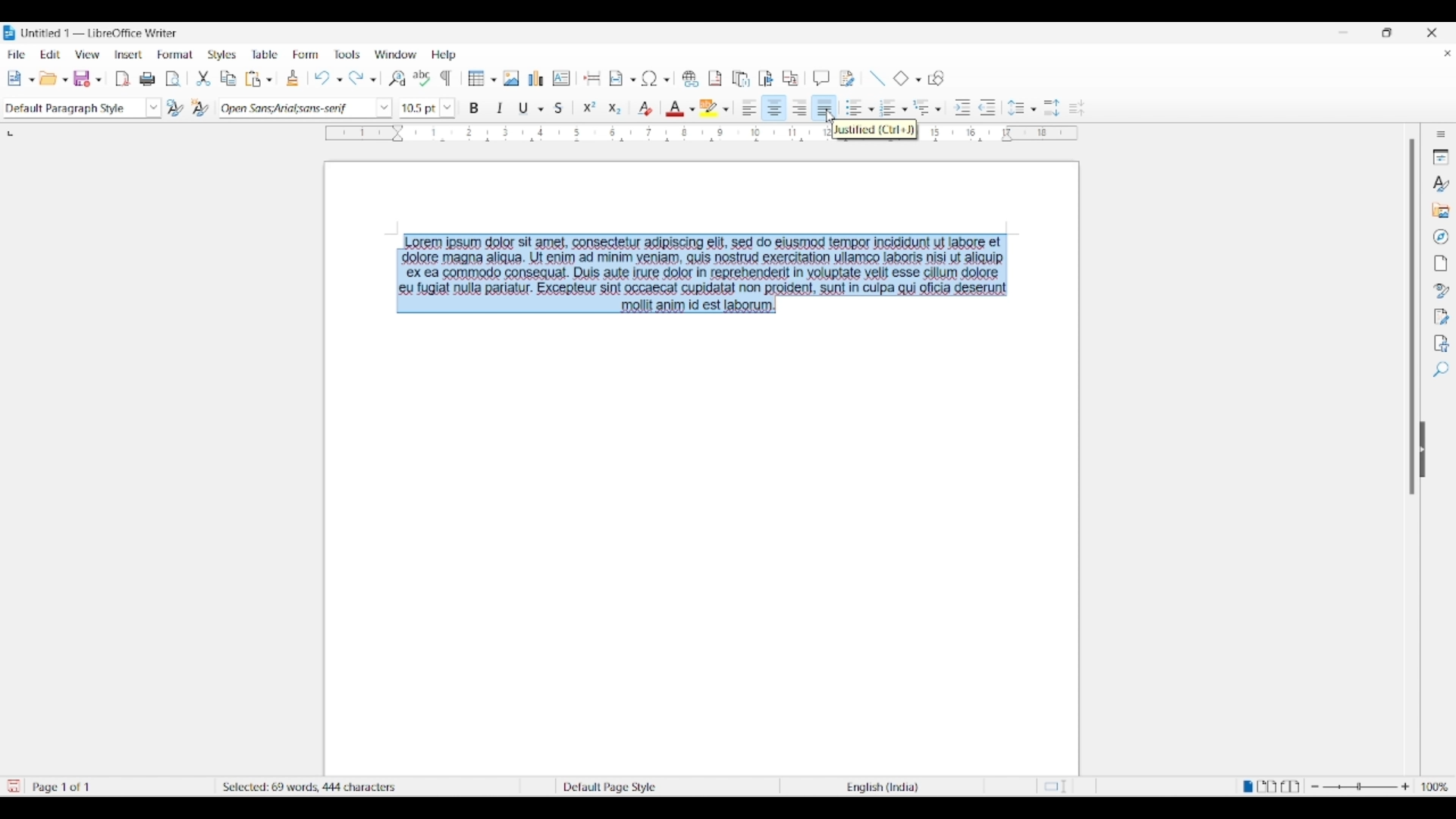 This screenshot has height=819, width=1456. I want to click on Clear direct formatting, so click(645, 108).